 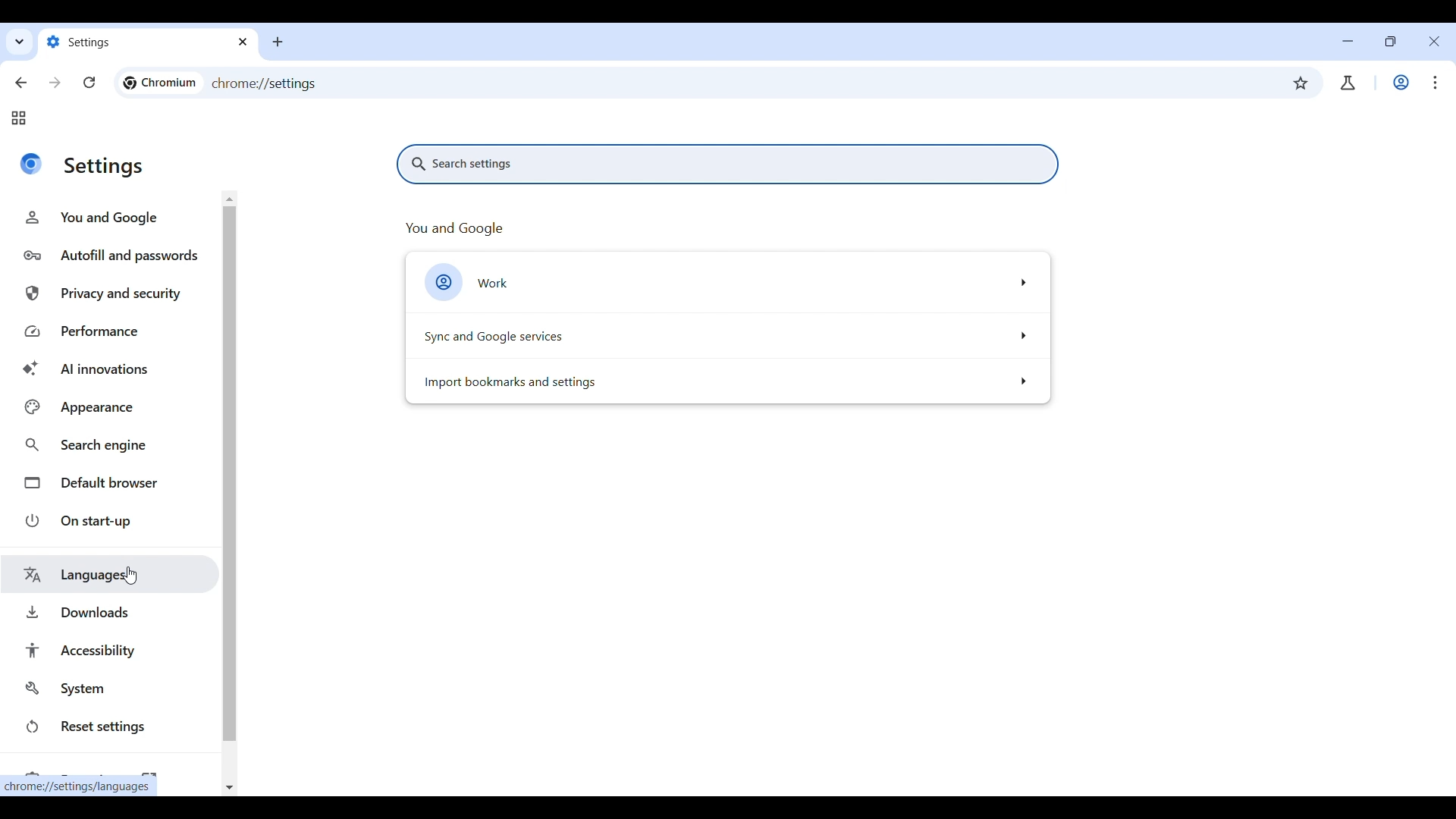 I want to click on Reset settings, so click(x=113, y=726).